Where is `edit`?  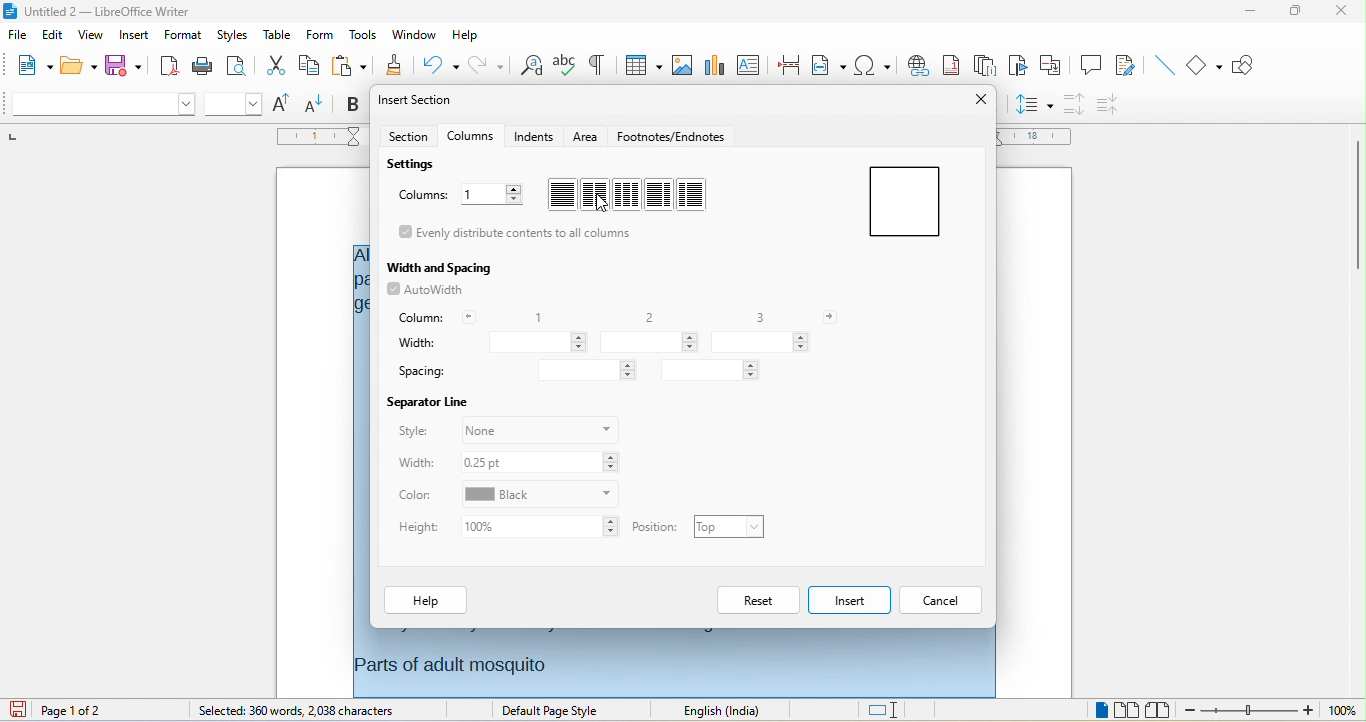 edit is located at coordinates (52, 35).